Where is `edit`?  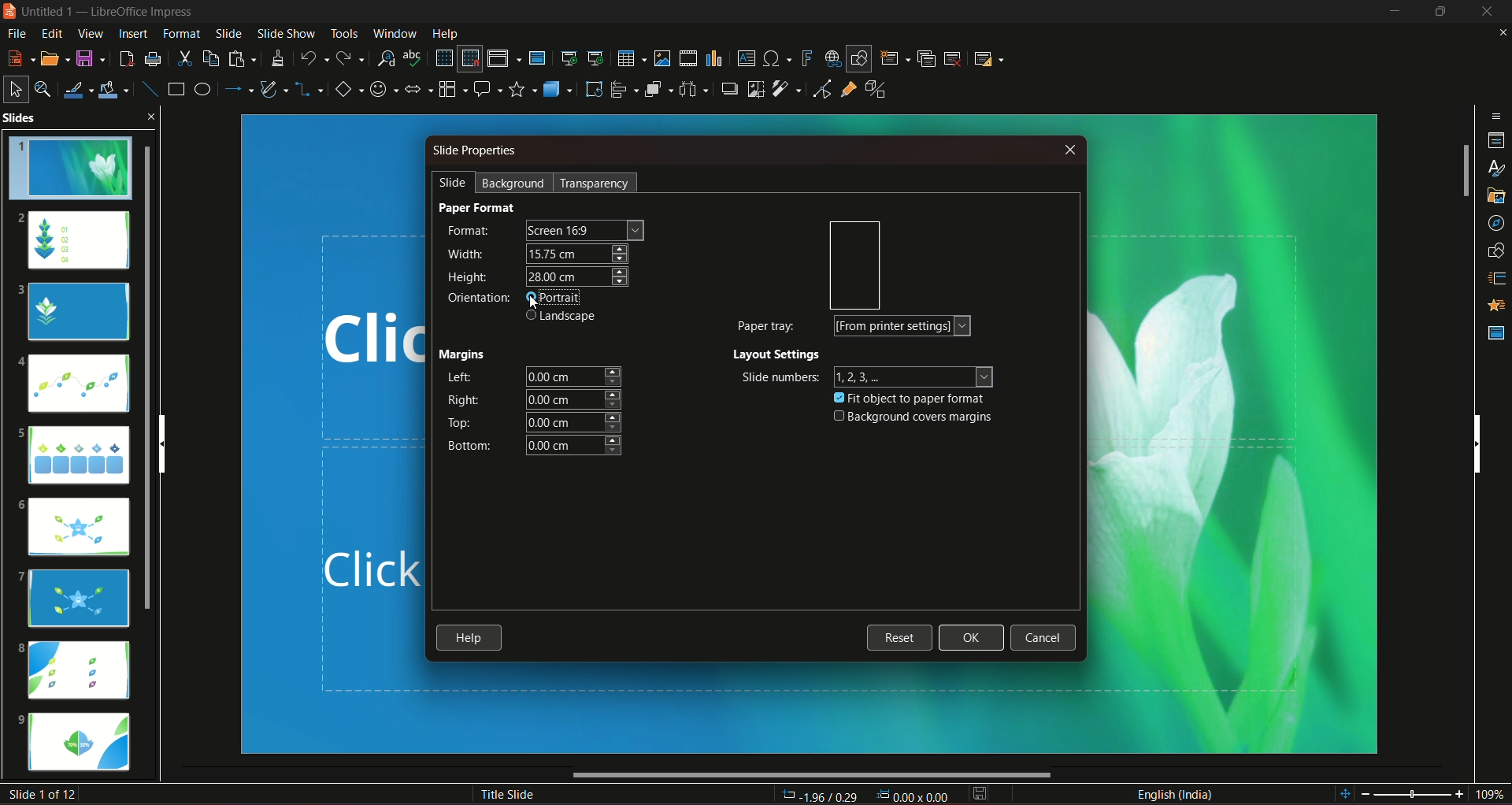
edit is located at coordinates (50, 33).